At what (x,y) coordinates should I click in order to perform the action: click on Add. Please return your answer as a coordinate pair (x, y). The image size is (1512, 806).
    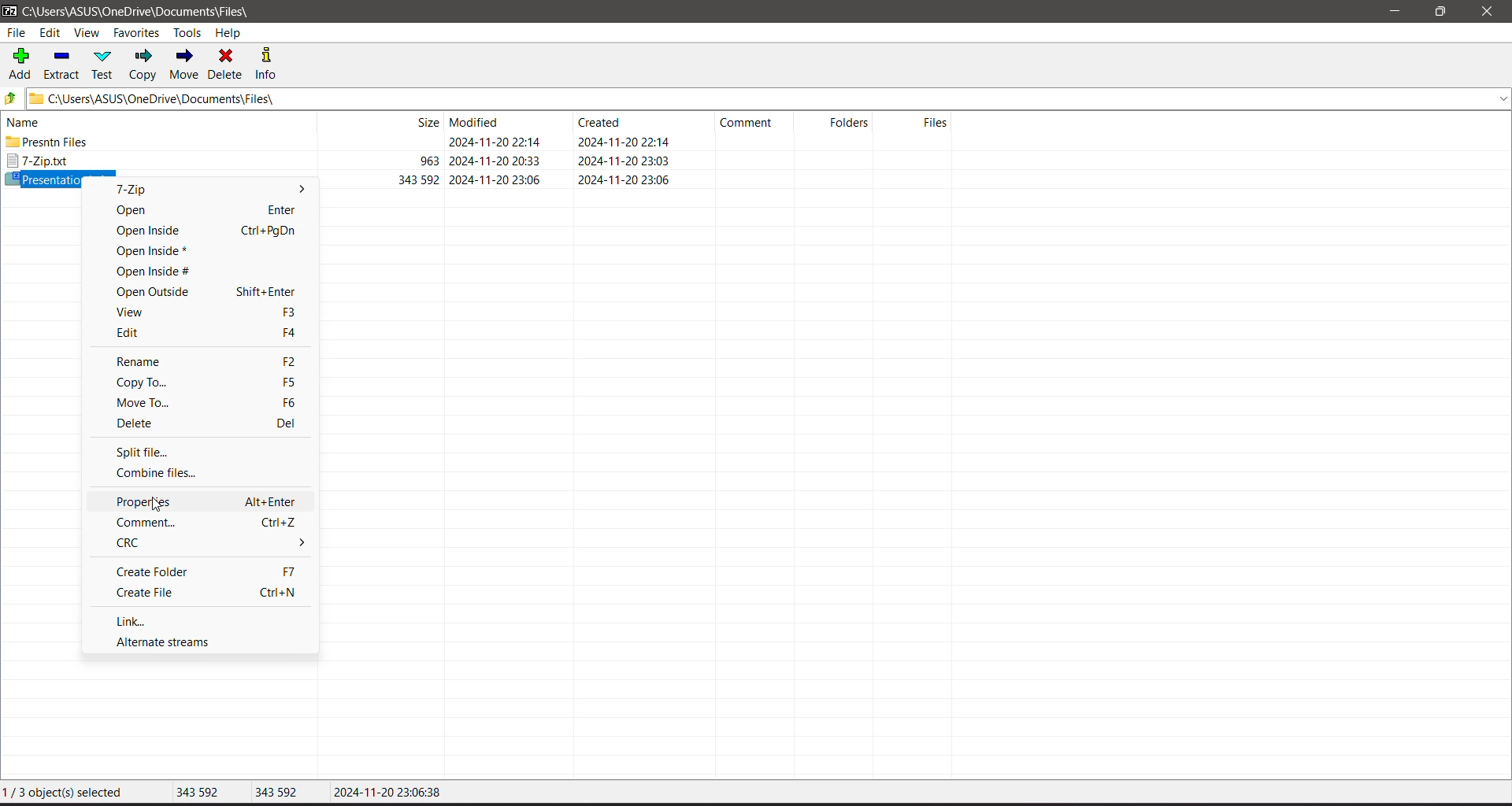
    Looking at the image, I should click on (20, 62).